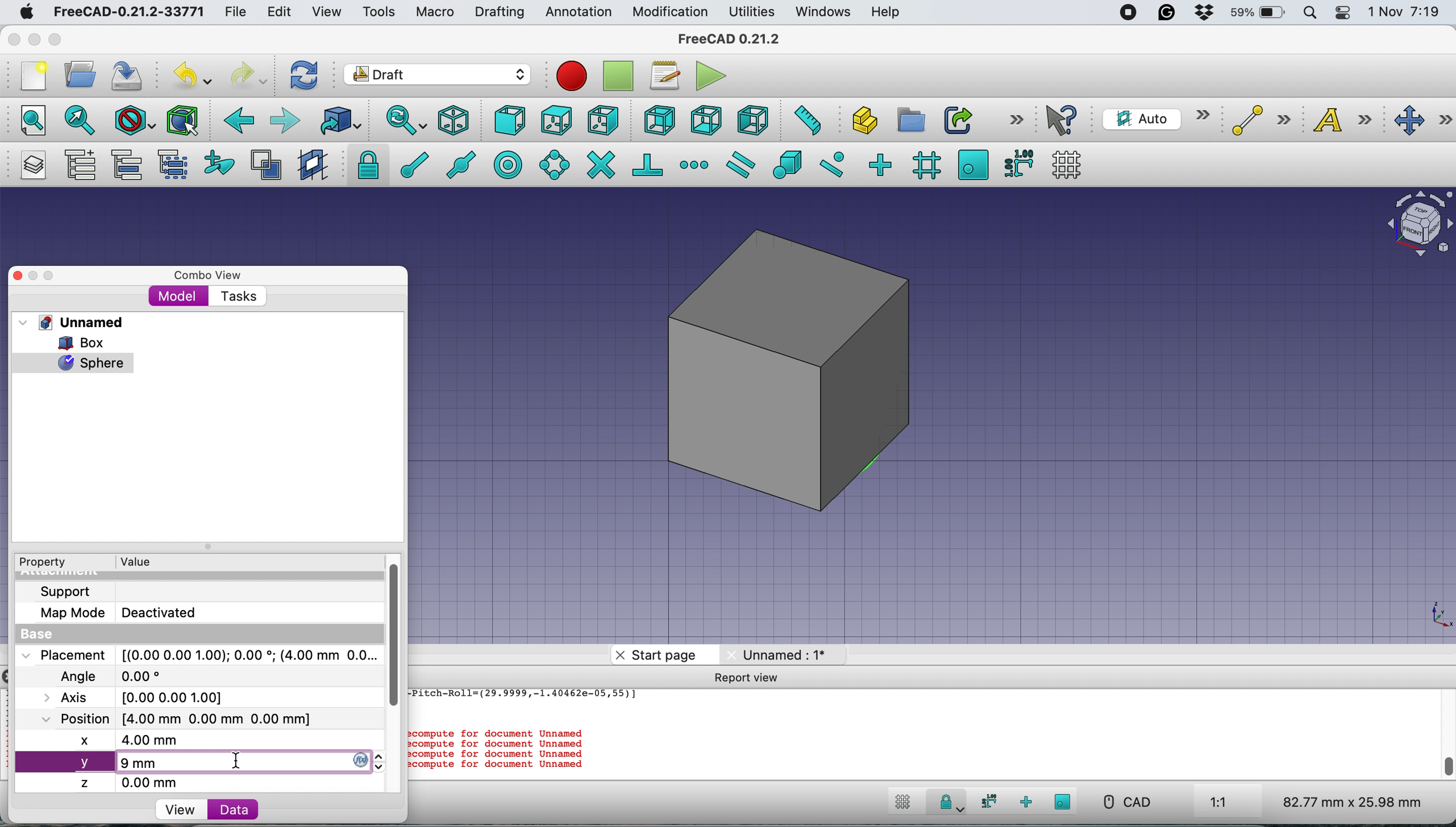 This screenshot has width=1456, height=827. Describe the element at coordinates (367, 761) in the screenshot. I see `y axis changer` at that location.